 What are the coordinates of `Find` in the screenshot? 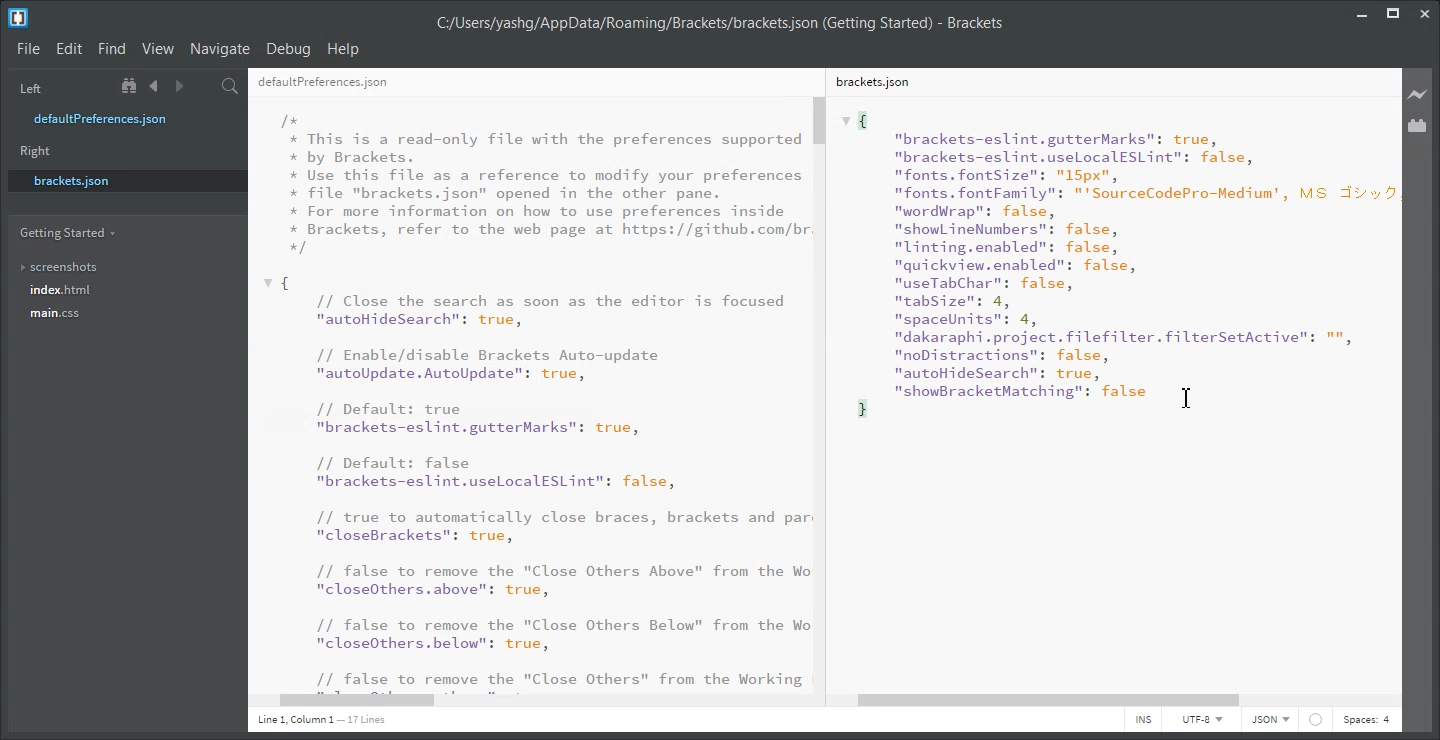 It's located at (112, 49).